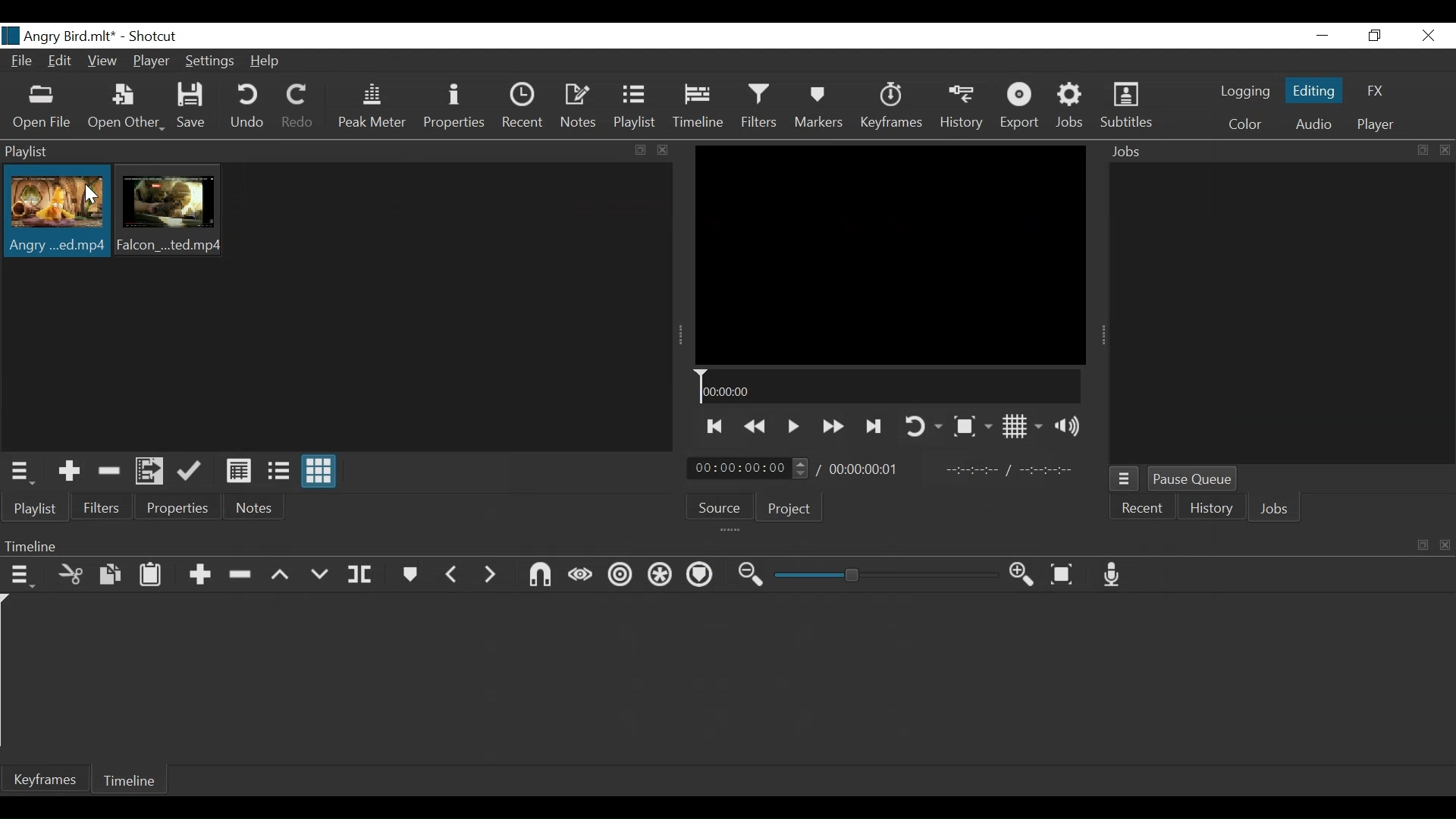  What do you see at coordinates (1210, 507) in the screenshot?
I see `History` at bounding box center [1210, 507].